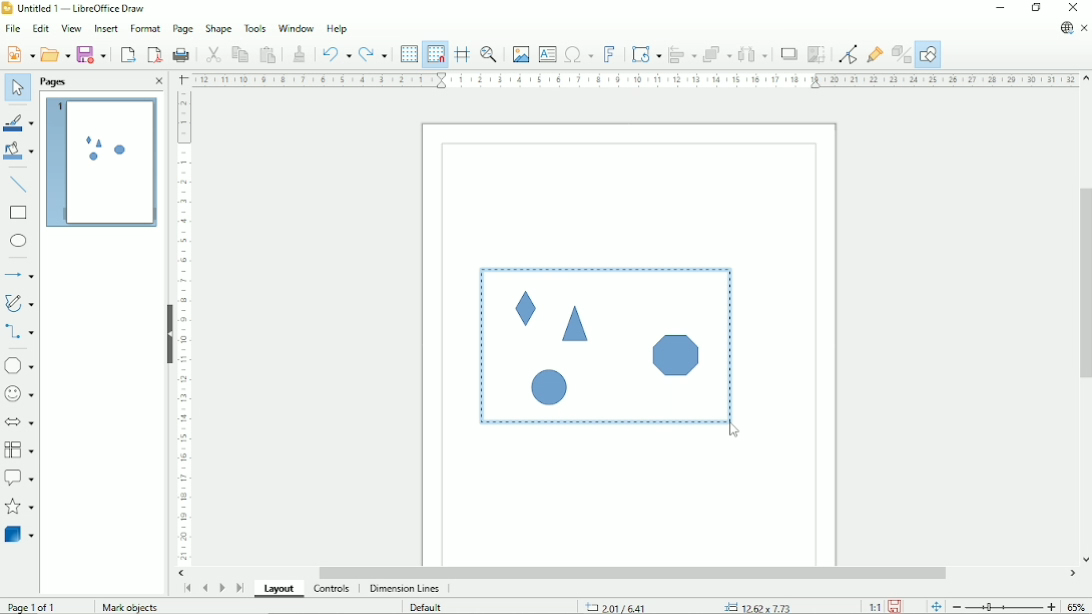  I want to click on Insert special characters, so click(578, 55).